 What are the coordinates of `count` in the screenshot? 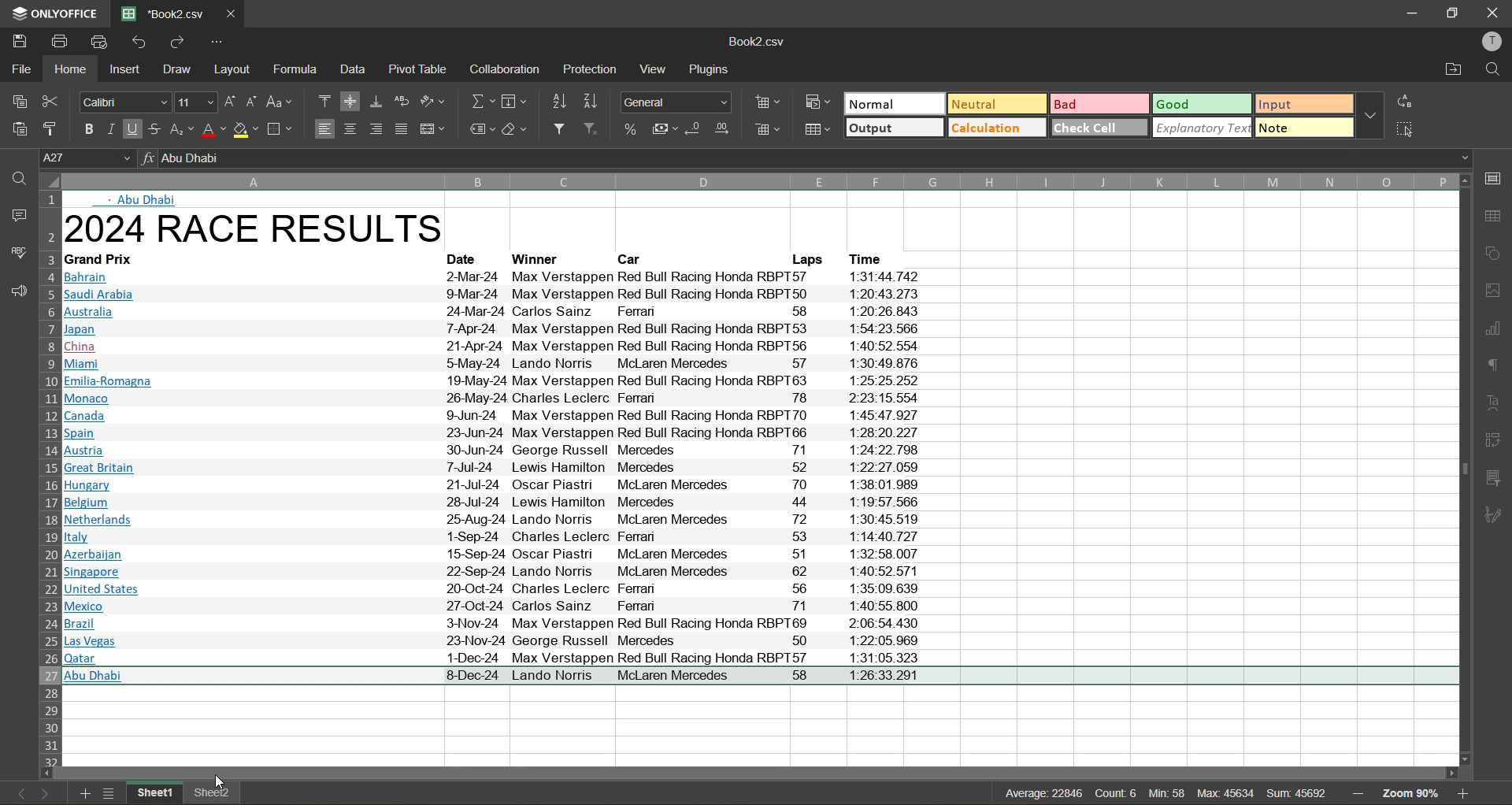 It's located at (1114, 793).